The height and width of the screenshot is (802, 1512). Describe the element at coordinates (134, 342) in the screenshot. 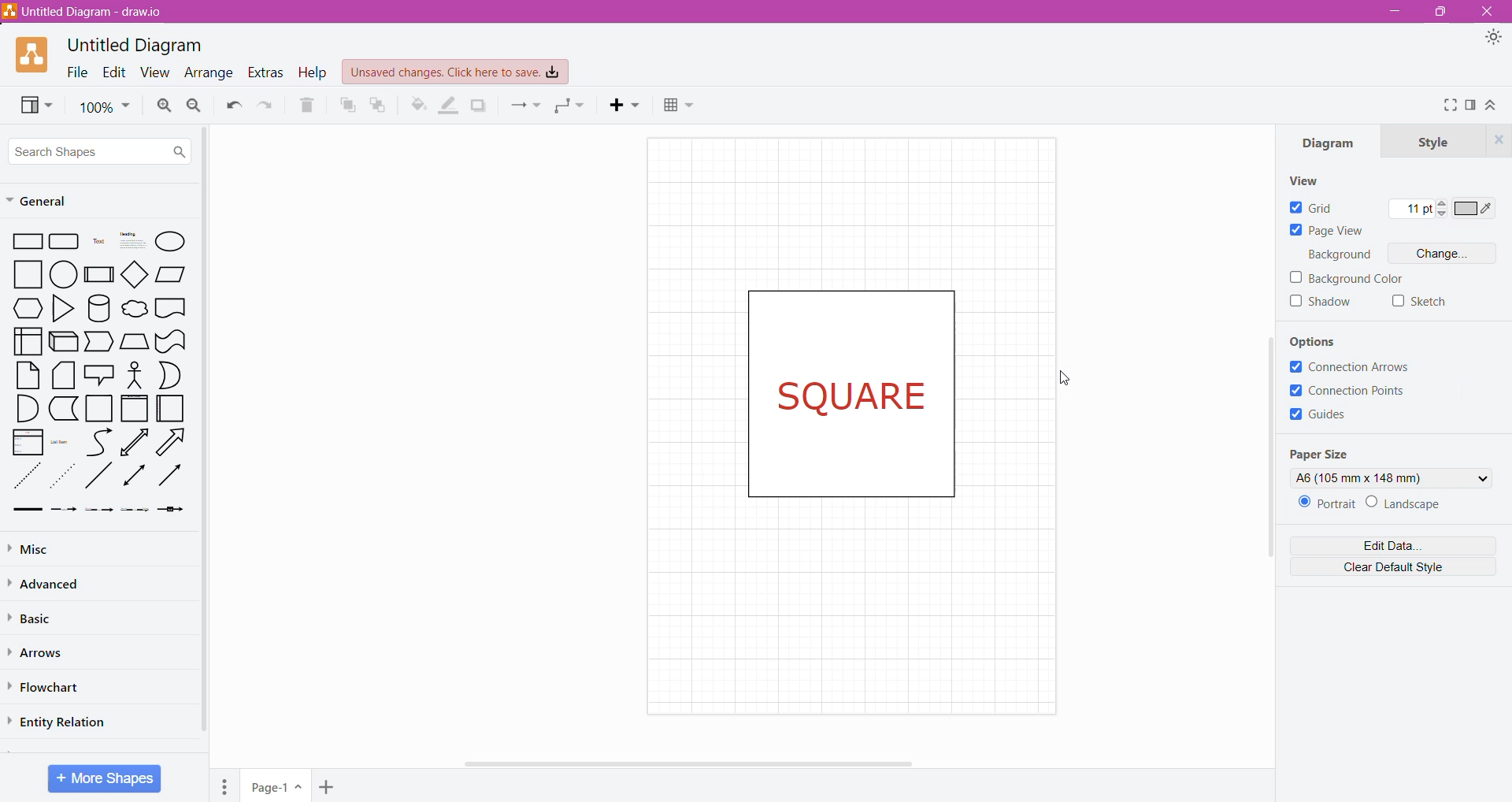

I see `Manual Input` at that location.